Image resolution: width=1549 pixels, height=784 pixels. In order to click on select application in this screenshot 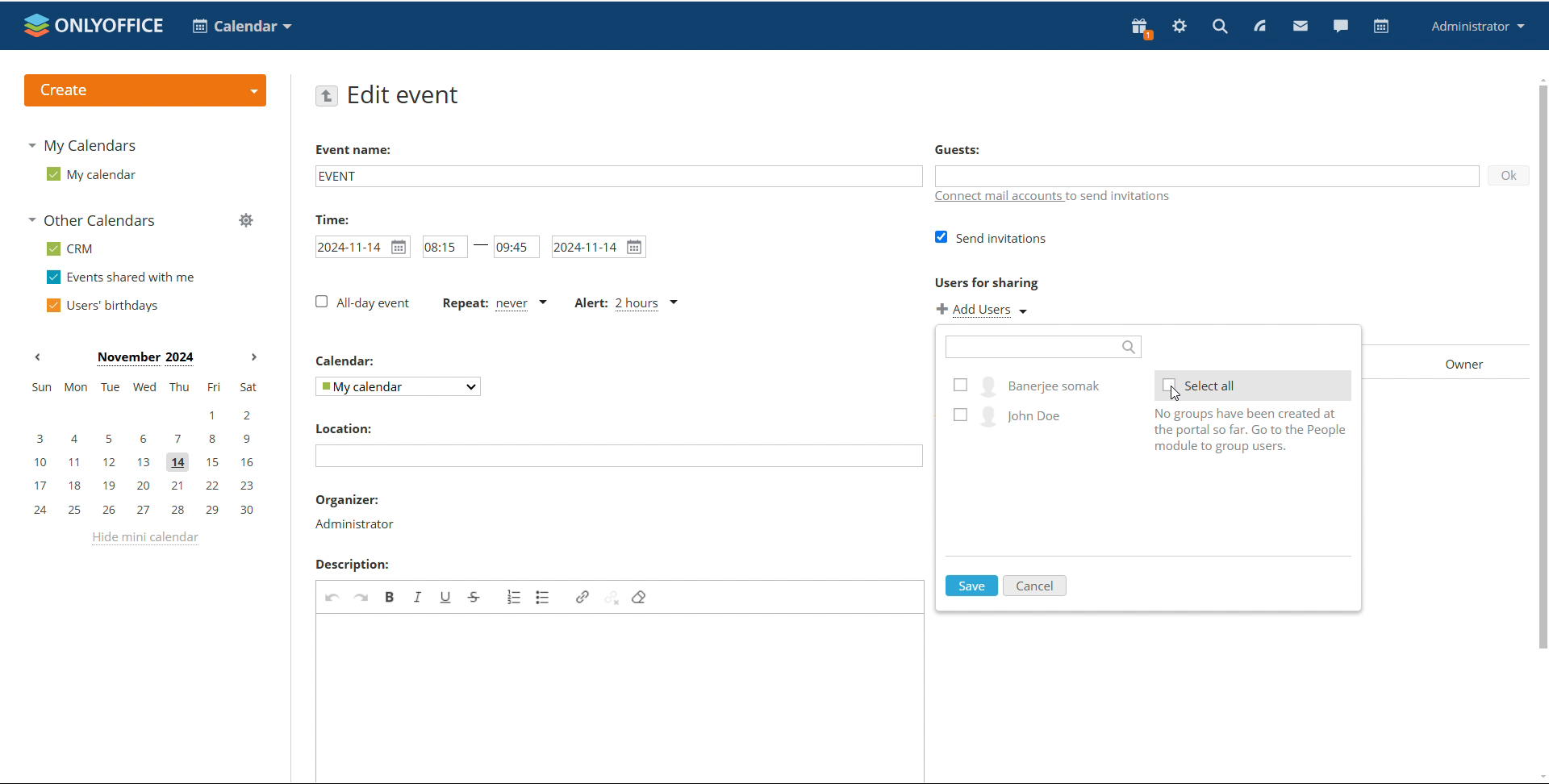, I will do `click(240, 27)`.